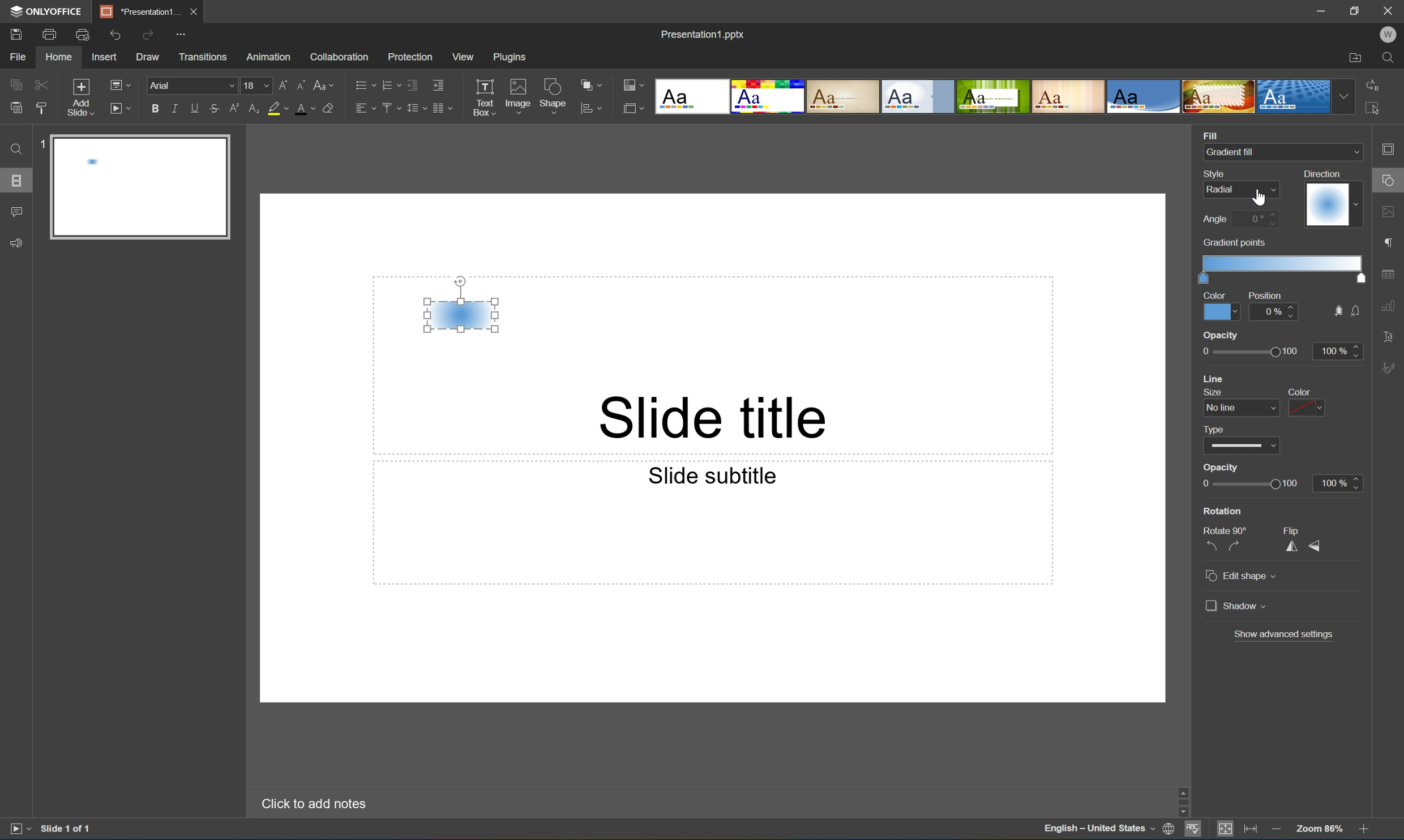  Describe the element at coordinates (195, 106) in the screenshot. I see `Underline` at that location.